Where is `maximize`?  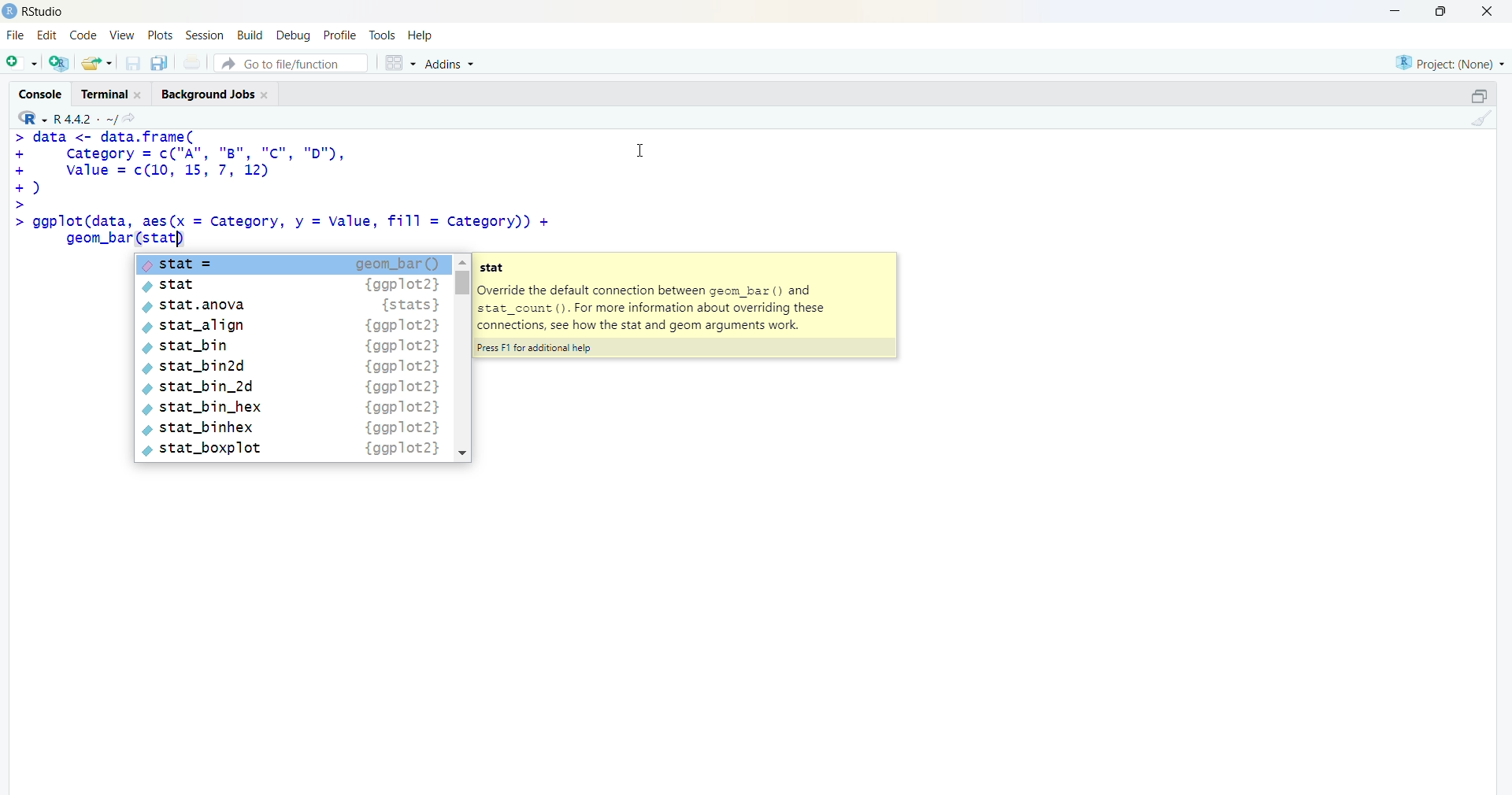
maximize is located at coordinates (1446, 11).